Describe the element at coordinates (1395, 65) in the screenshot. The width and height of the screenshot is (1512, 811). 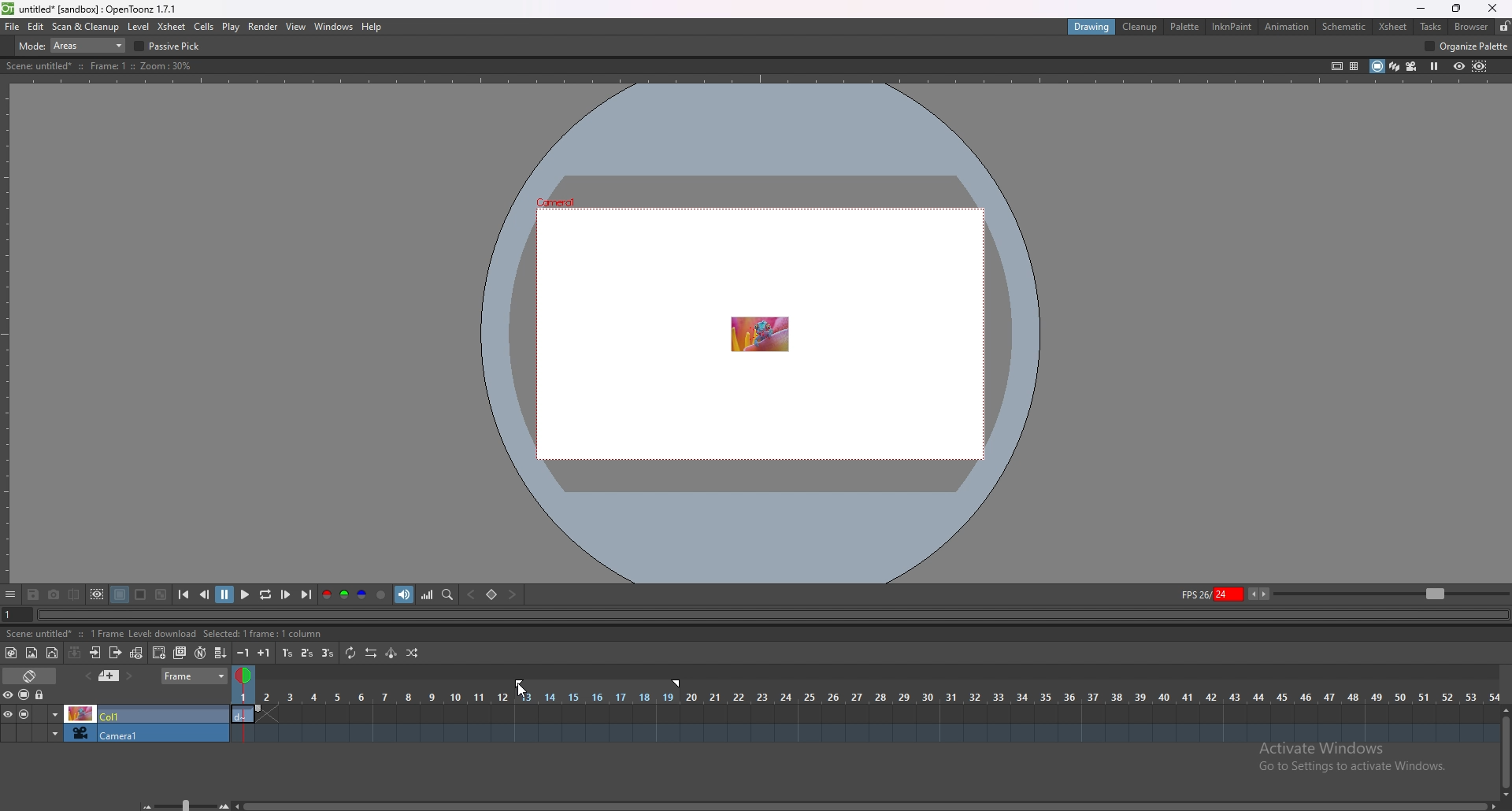
I see `3d` at that location.